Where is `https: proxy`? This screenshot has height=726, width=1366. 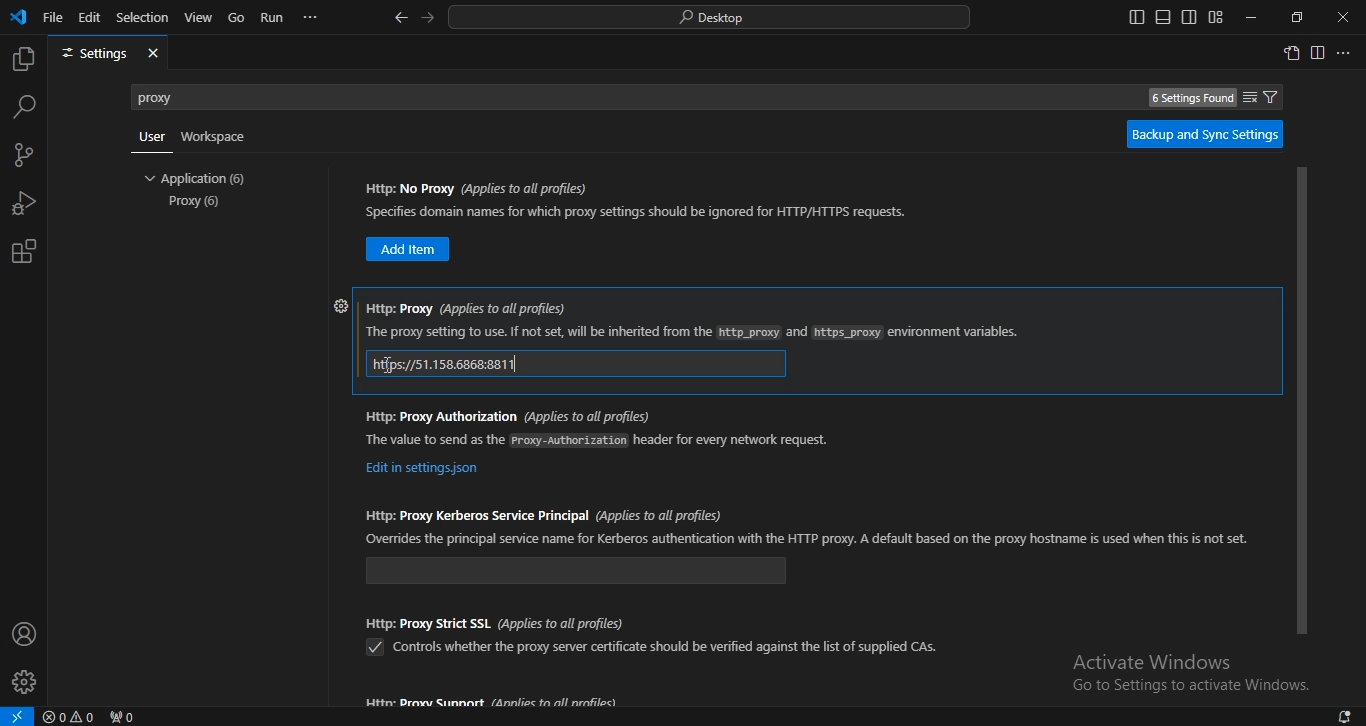 https: proxy is located at coordinates (693, 332).